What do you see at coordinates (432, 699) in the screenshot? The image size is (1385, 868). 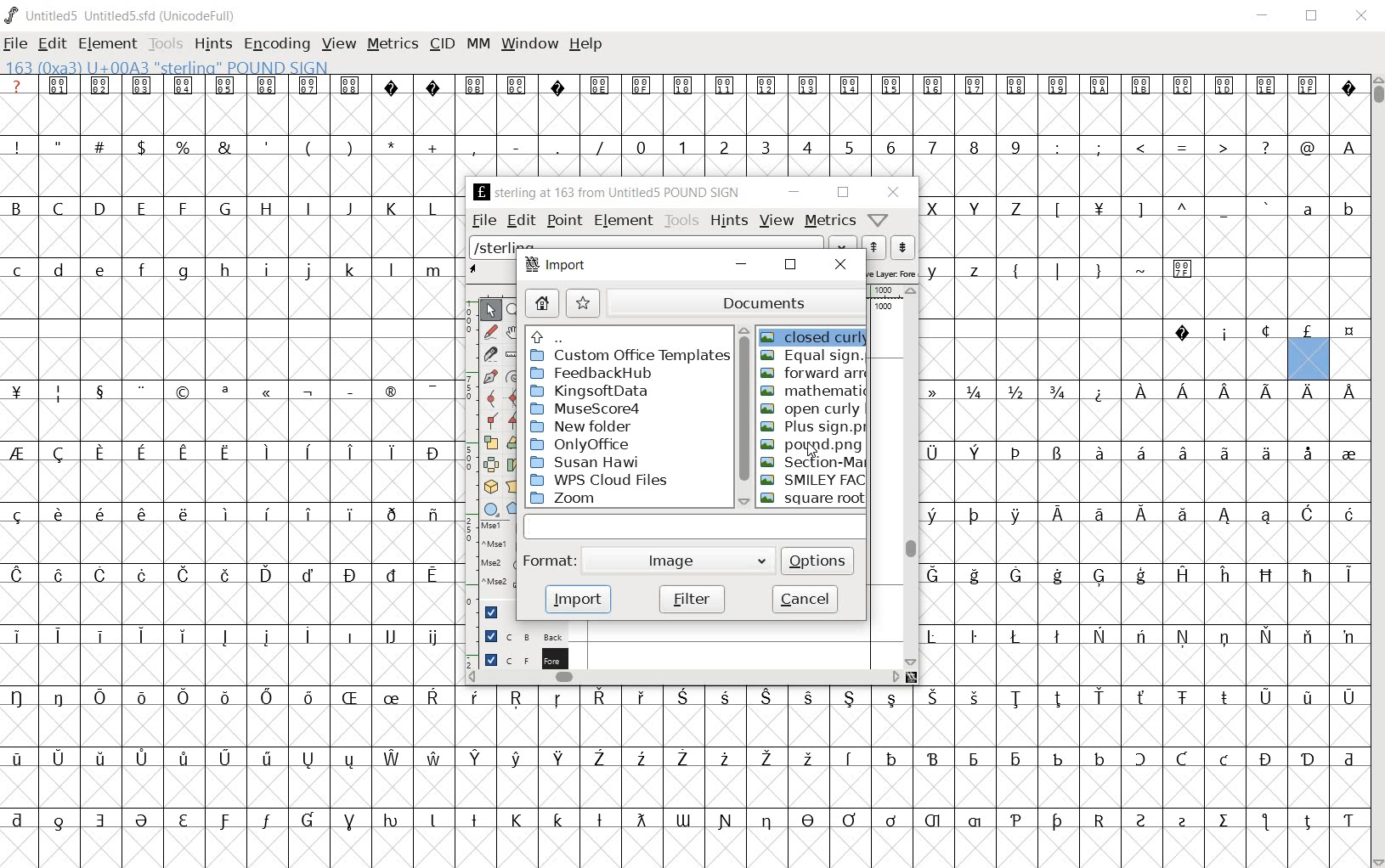 I see `Symbol` at bounding box center [432, 699].